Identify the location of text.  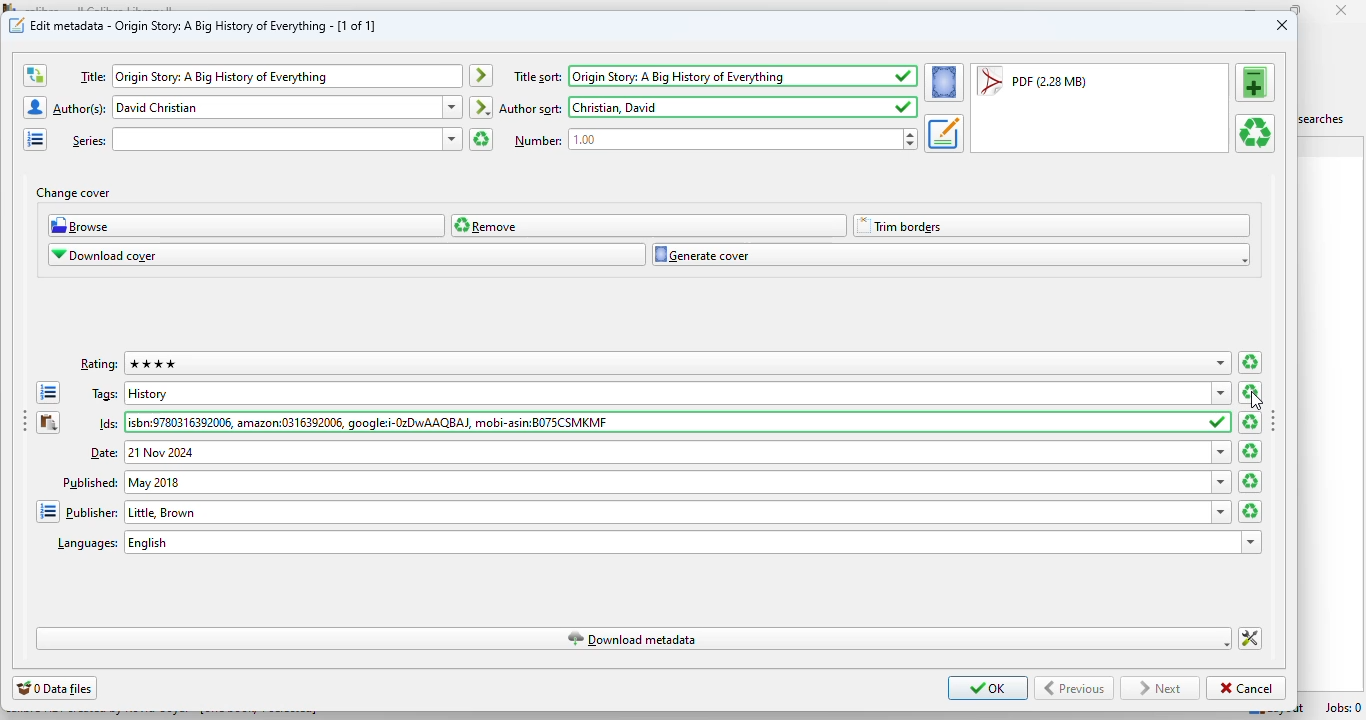
(87, 545).